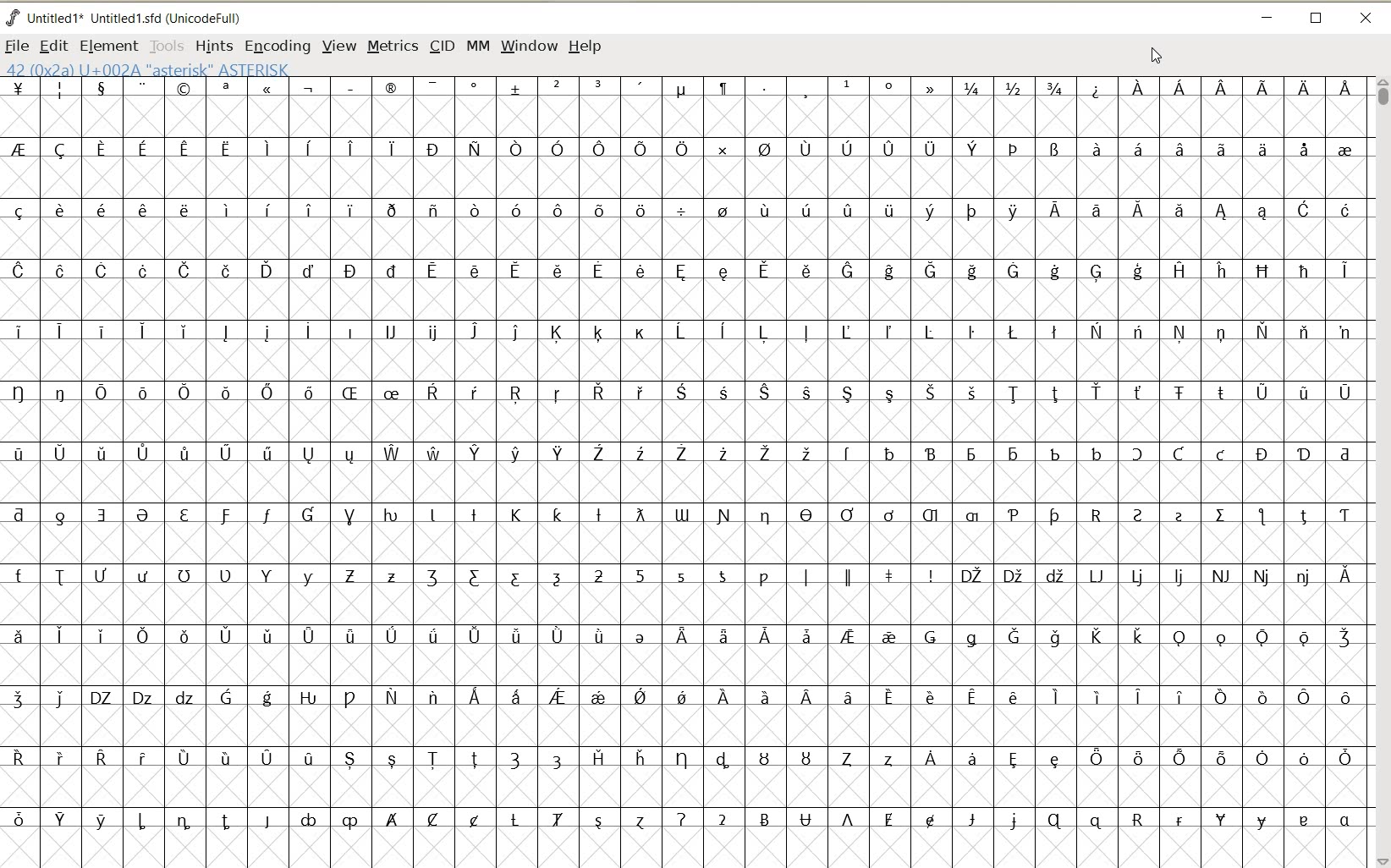 This screenshot has width=1391, height=868. I want to click on FONT NAME, so click(131, 19).